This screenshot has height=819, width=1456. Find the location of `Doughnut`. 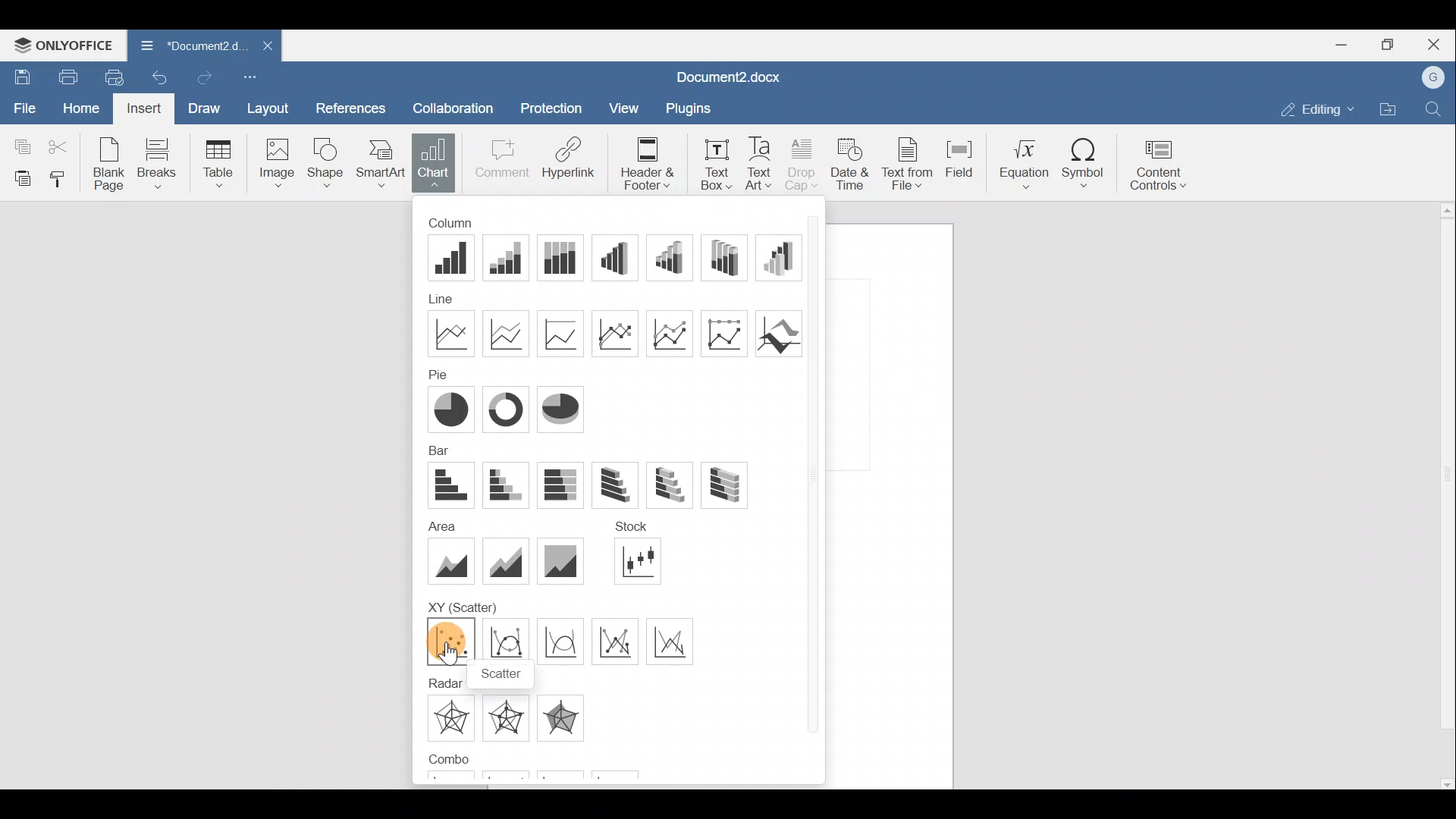

Doughnut is located at coordinates (508, 408).